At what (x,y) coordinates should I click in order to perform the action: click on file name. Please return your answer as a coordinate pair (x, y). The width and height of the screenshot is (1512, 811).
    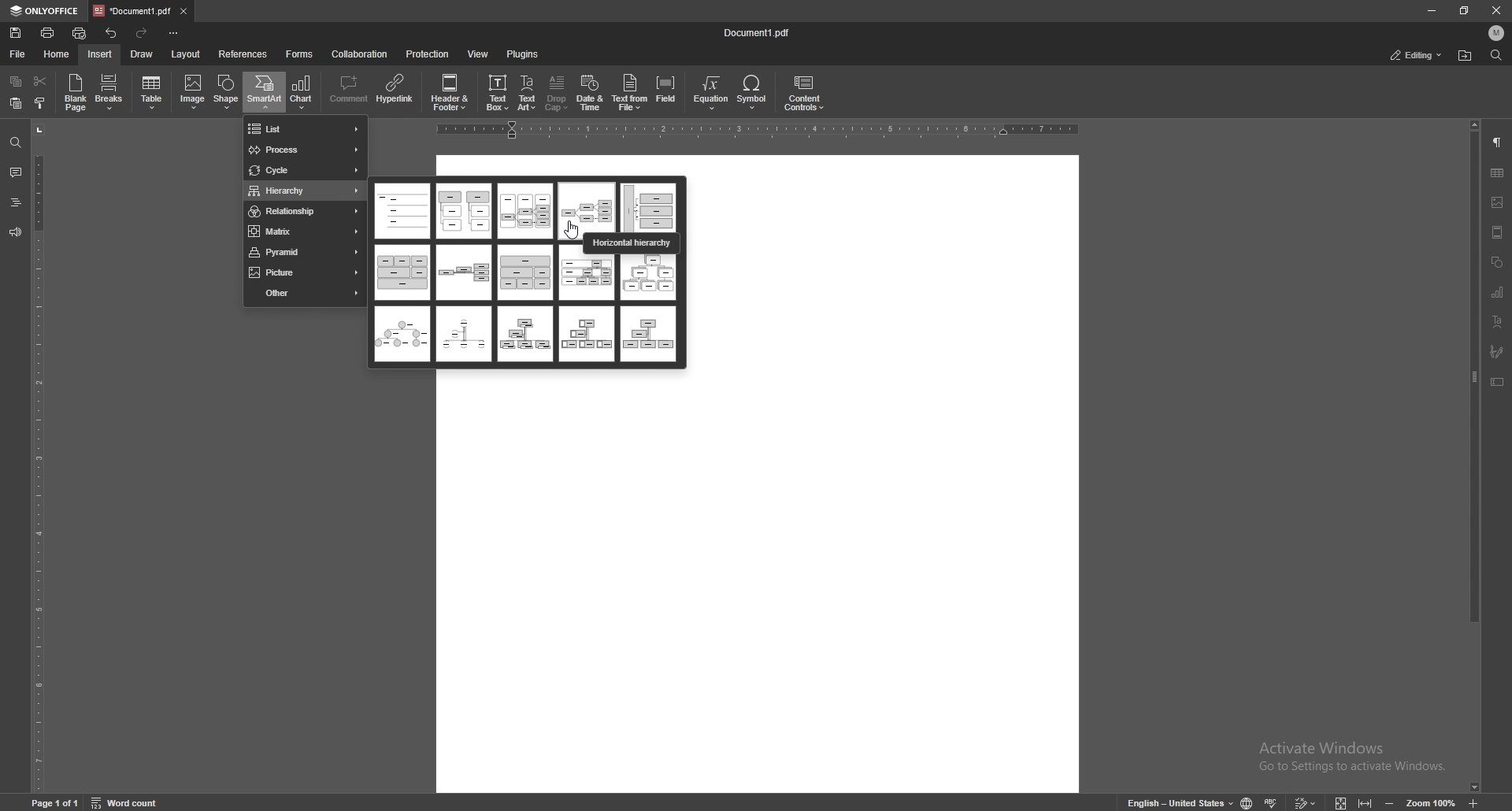
    Looking at the image, I should click on (759, 32).